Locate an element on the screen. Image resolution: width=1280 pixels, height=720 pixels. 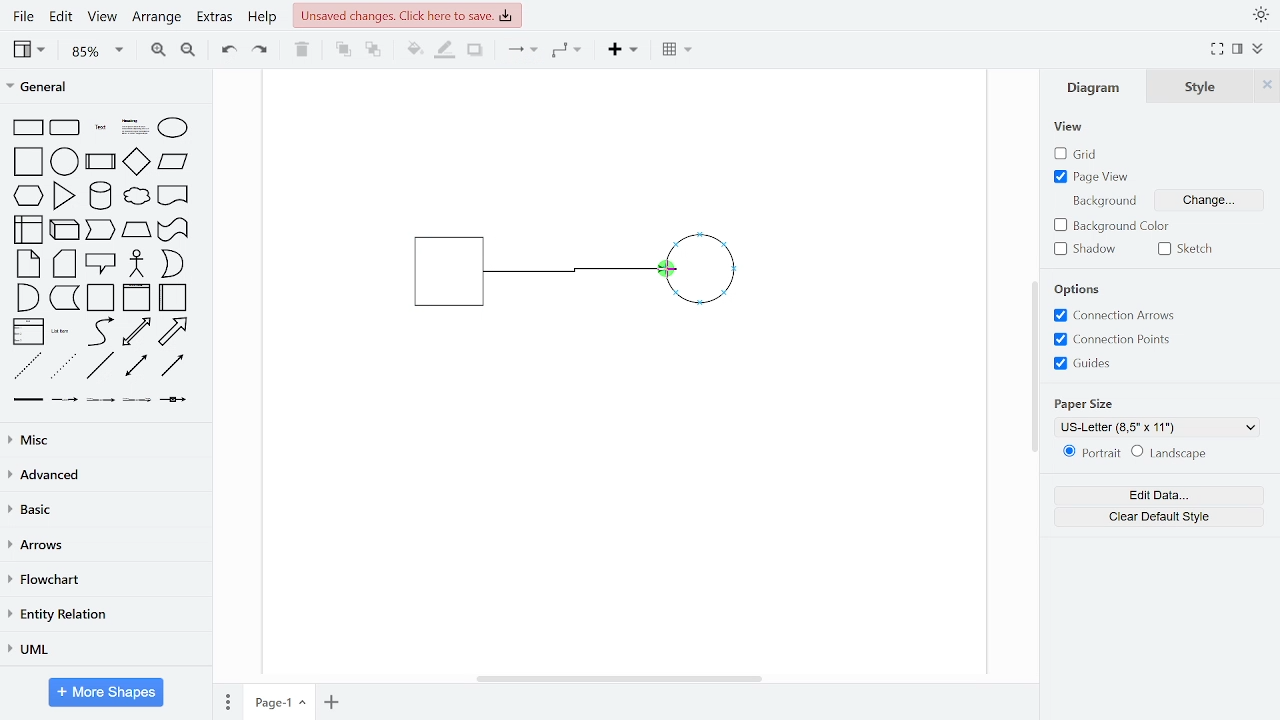
waypoints is located at coordinates (572, 50).